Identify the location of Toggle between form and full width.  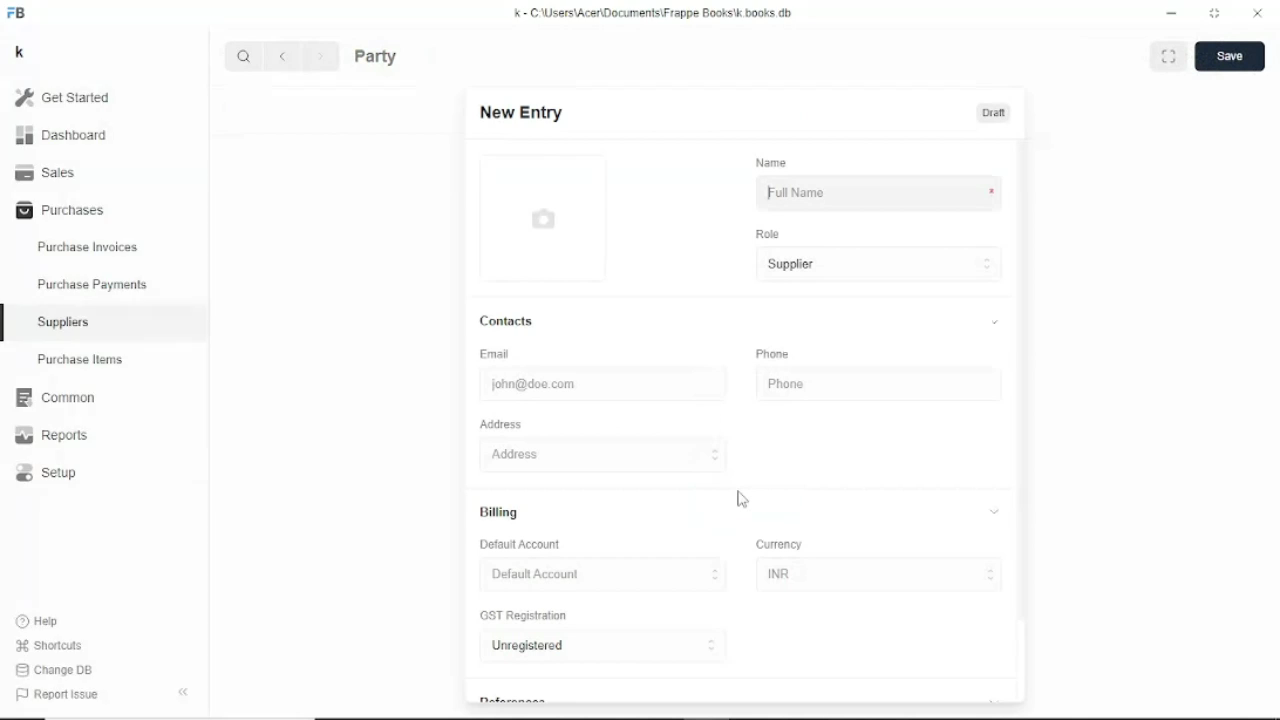
(1171, 55).